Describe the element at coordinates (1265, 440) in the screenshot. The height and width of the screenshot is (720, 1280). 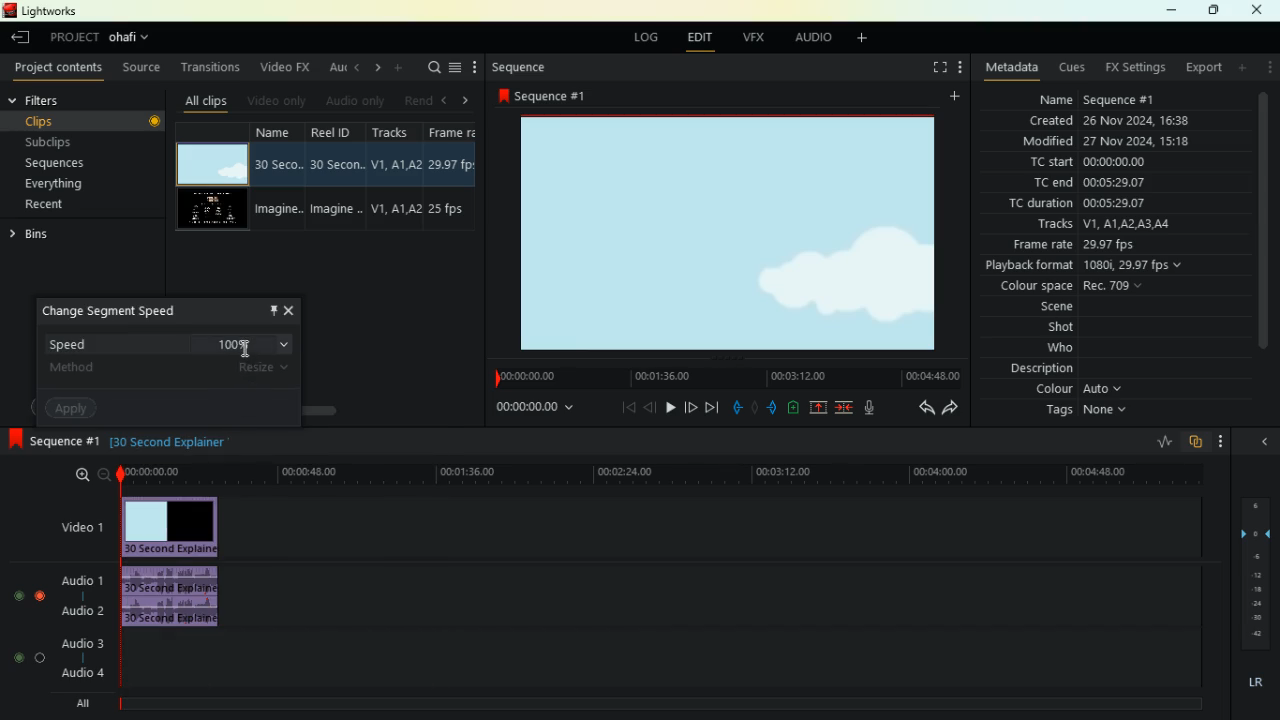
I see `close` at that location.